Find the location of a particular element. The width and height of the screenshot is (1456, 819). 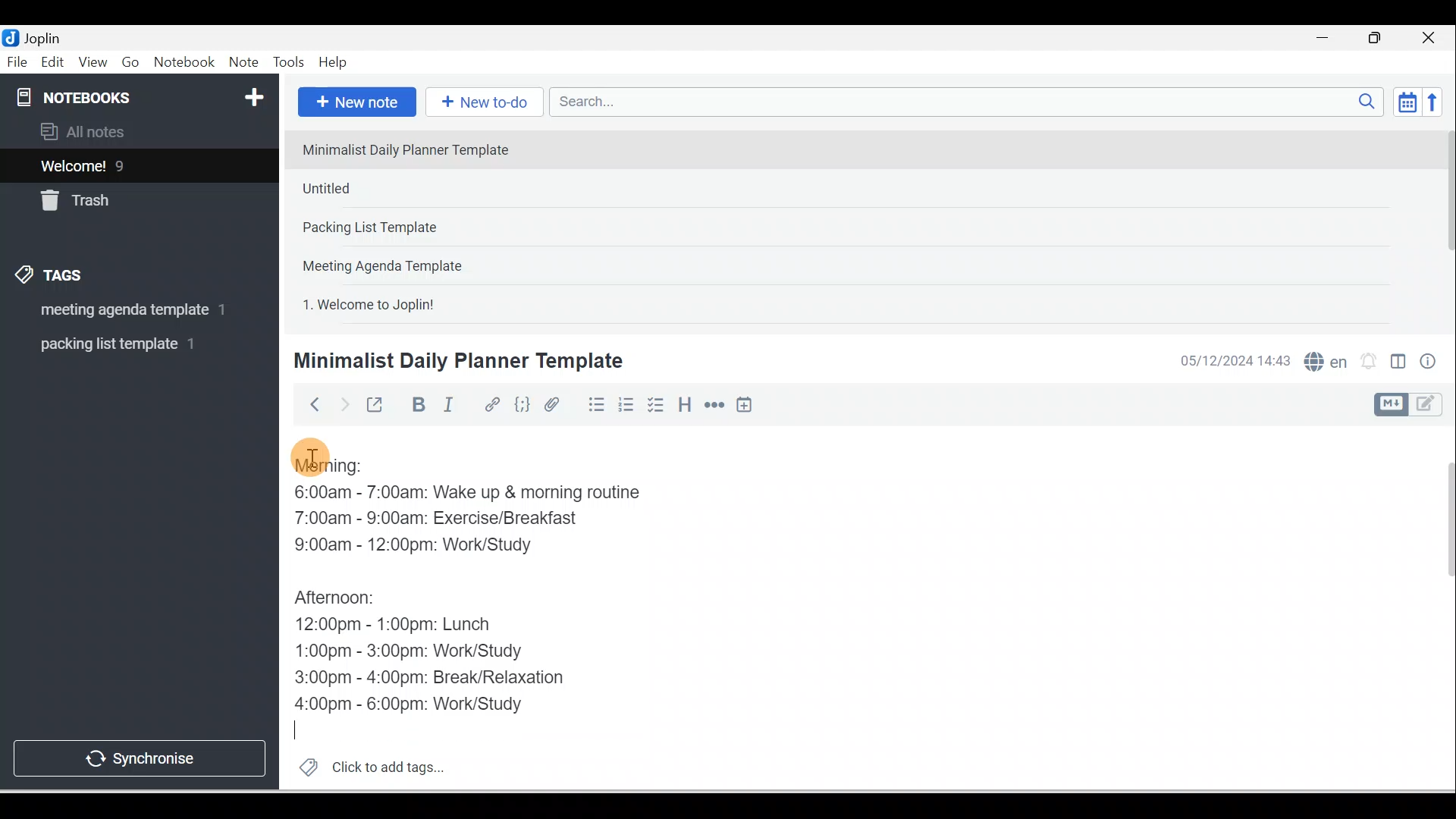

Search bar is located at coordinates (971, 102).